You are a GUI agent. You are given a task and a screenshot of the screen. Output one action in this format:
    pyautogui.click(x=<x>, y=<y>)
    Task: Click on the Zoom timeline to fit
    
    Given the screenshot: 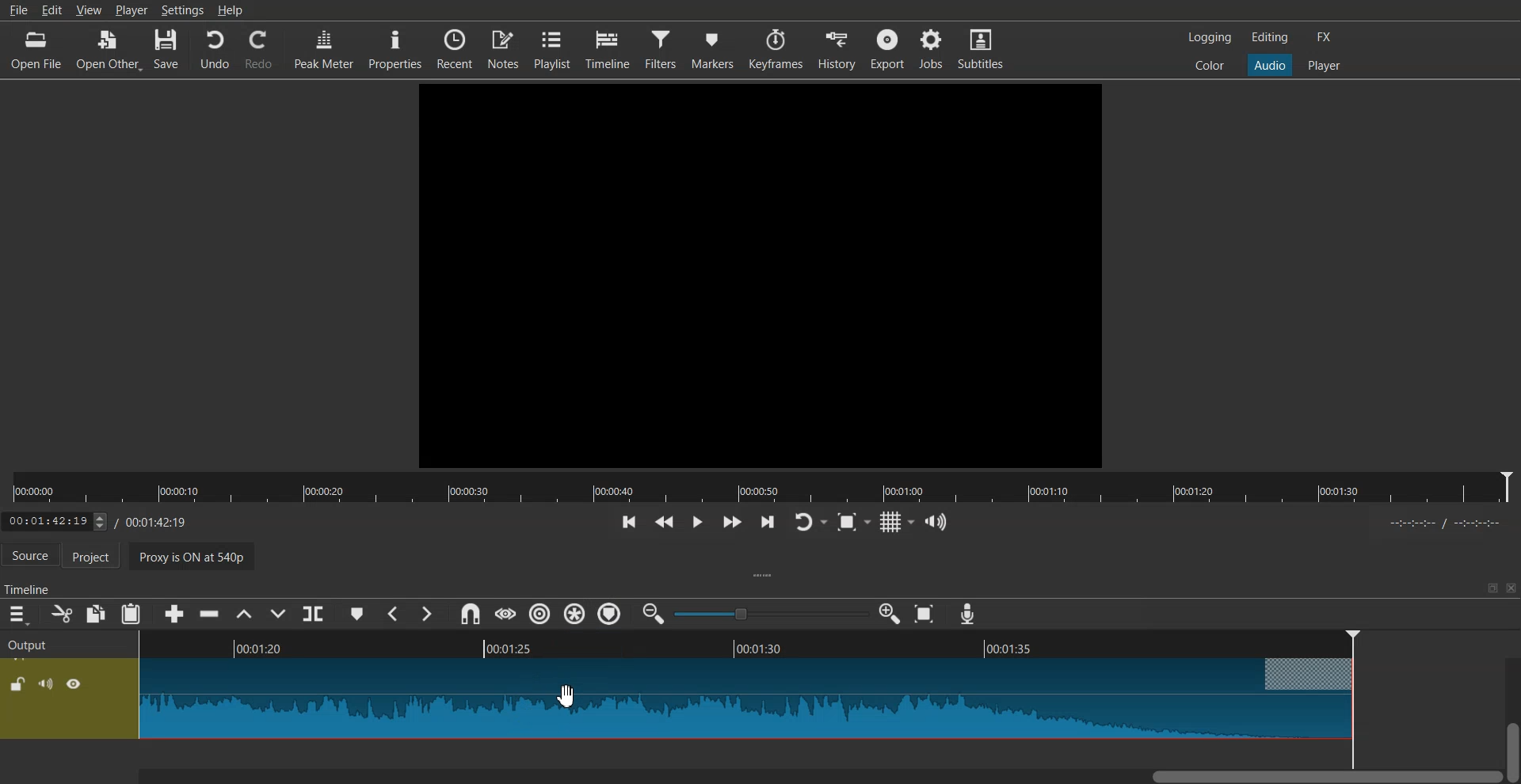 What is the action you would take?
    pyautogui.click(x=927, y=614)
    